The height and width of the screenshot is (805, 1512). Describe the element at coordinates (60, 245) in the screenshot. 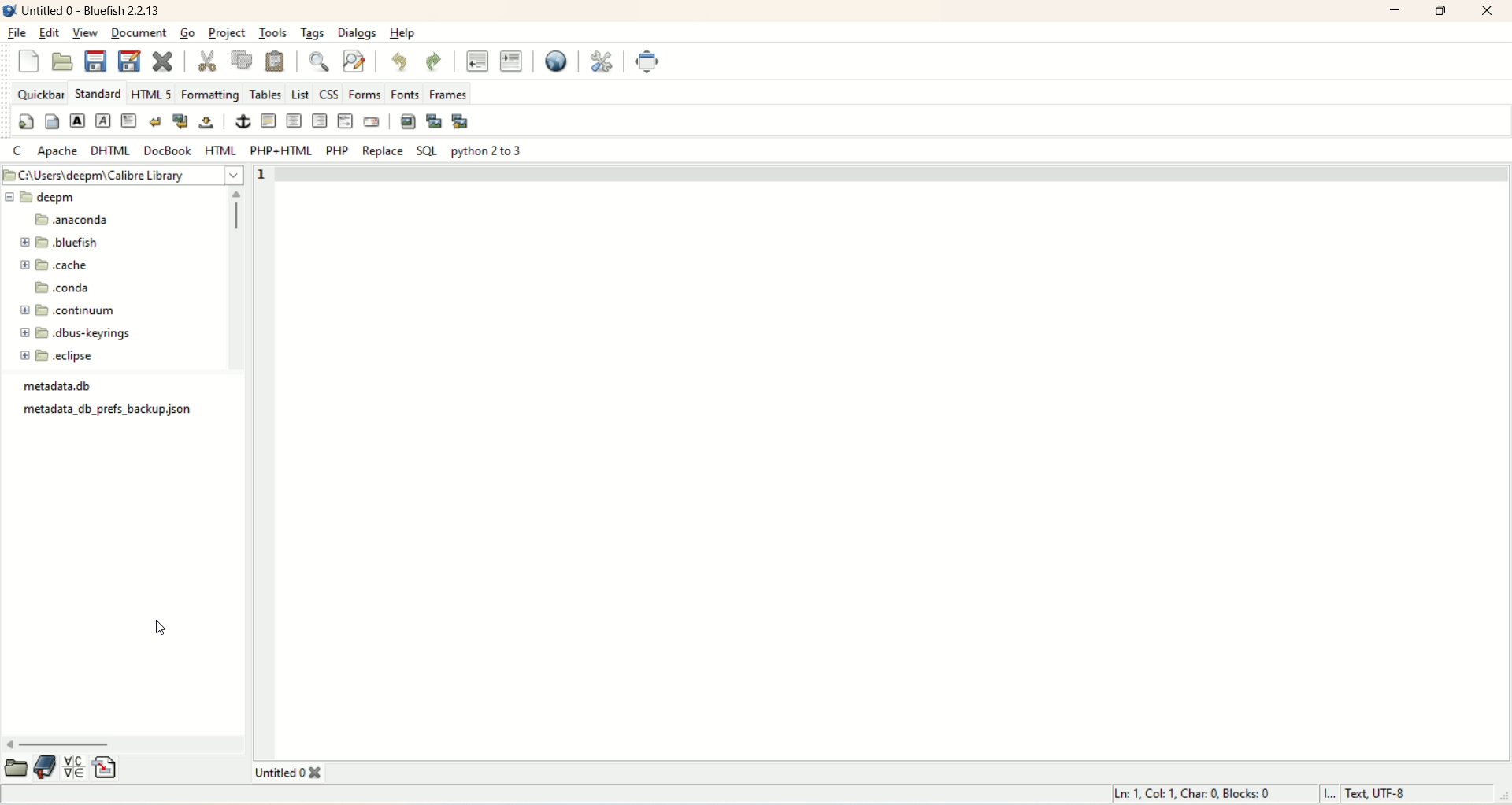

I see `bluefish` at that location.